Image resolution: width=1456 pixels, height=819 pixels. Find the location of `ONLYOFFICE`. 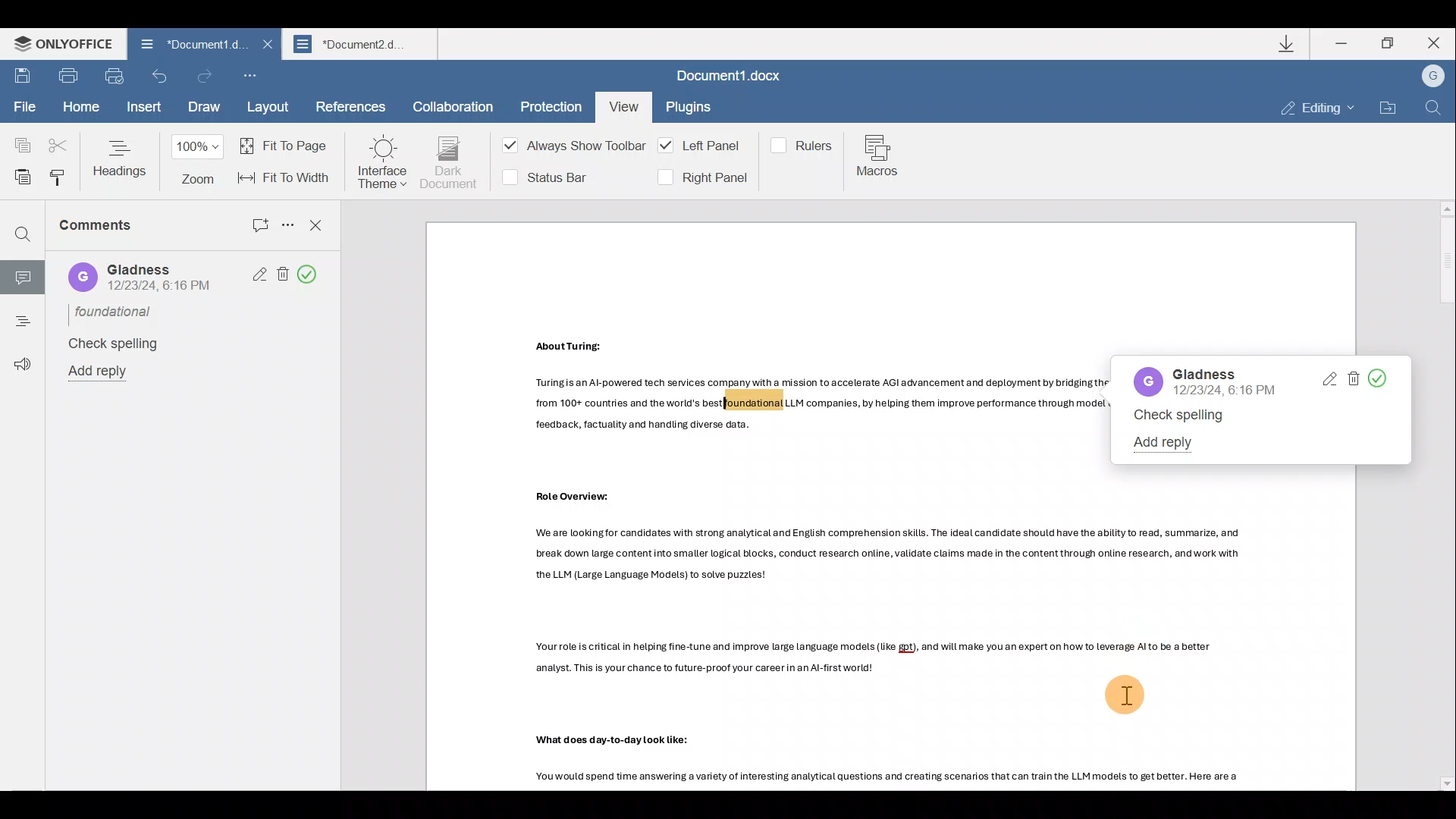

ONLYOFFICE is located at coordinates (59, 45).